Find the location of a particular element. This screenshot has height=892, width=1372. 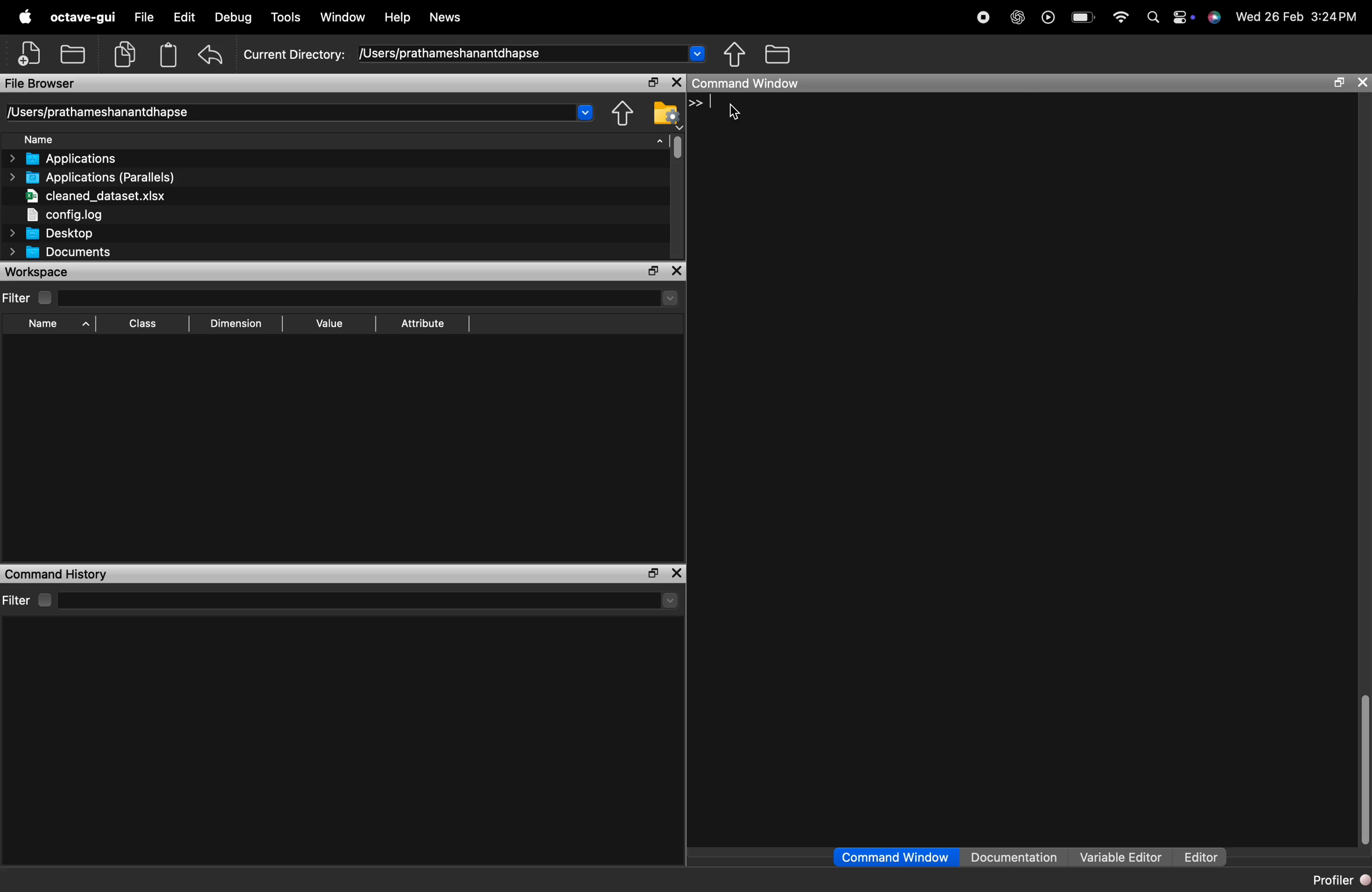

Users/prathameshanantdhapse is located at coordinates (302, 111).